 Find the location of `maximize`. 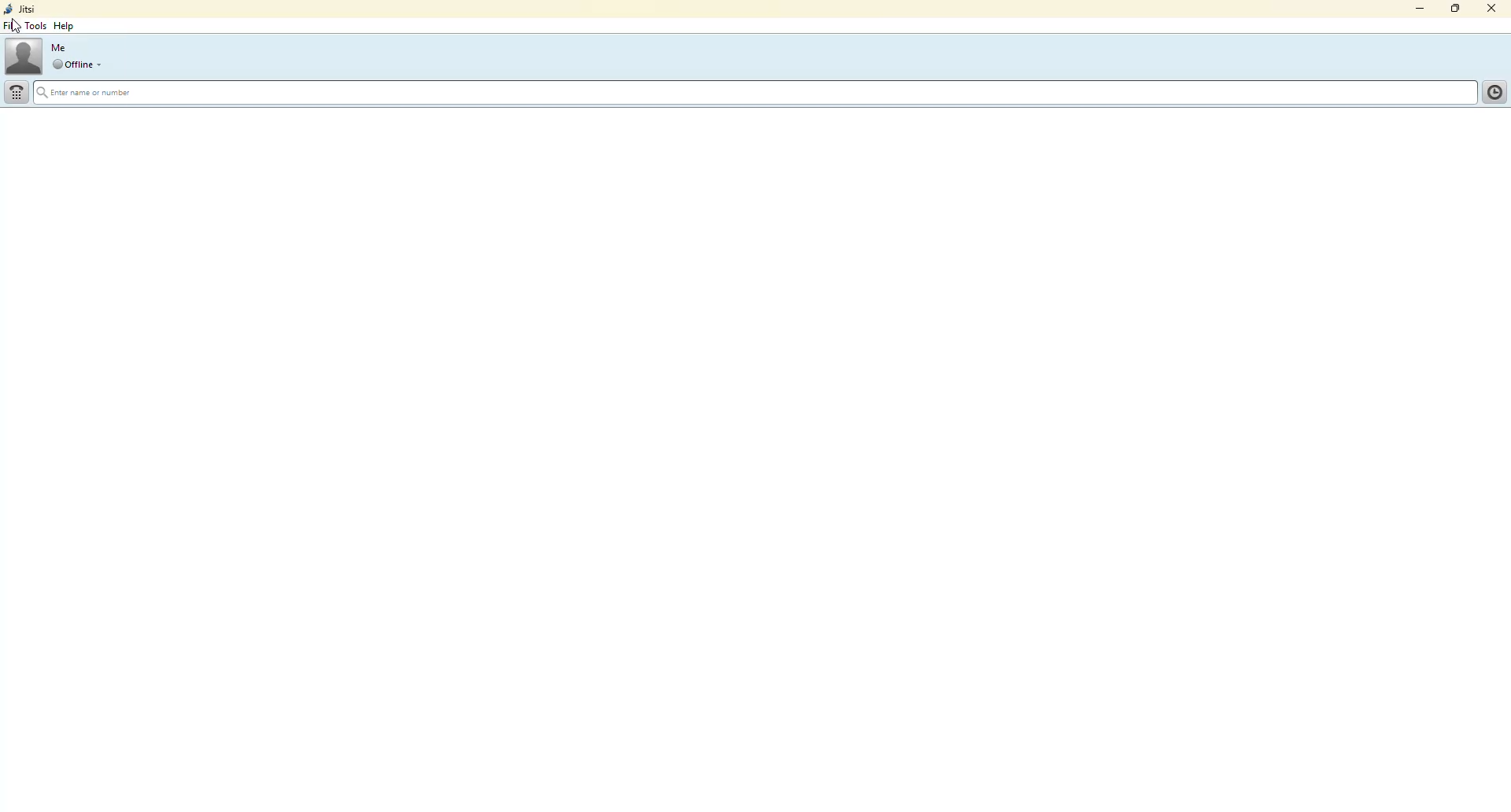

maximize is located at coordinates (1452, 8).